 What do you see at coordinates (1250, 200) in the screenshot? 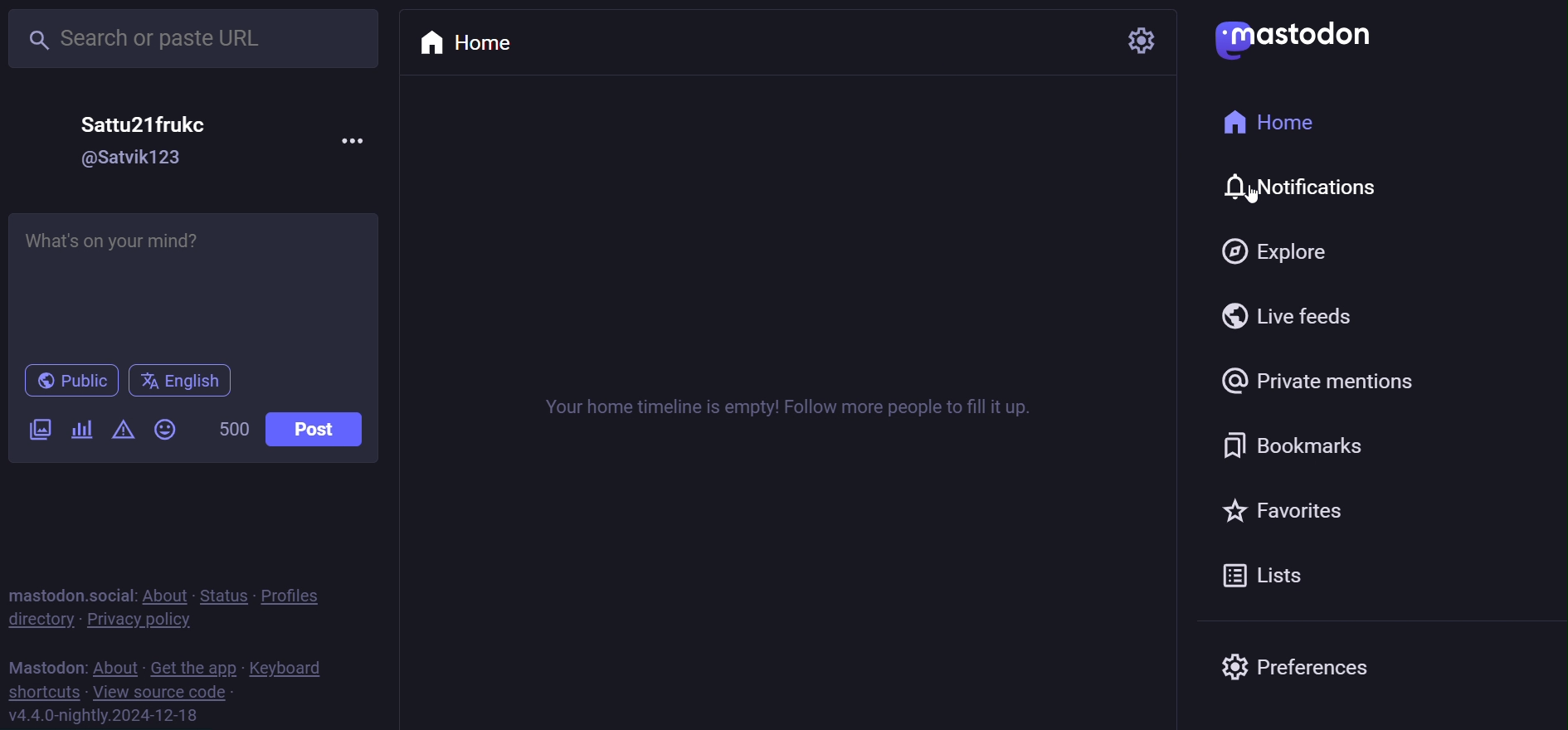
I see `cursor` at bounding box center [1250, 200].